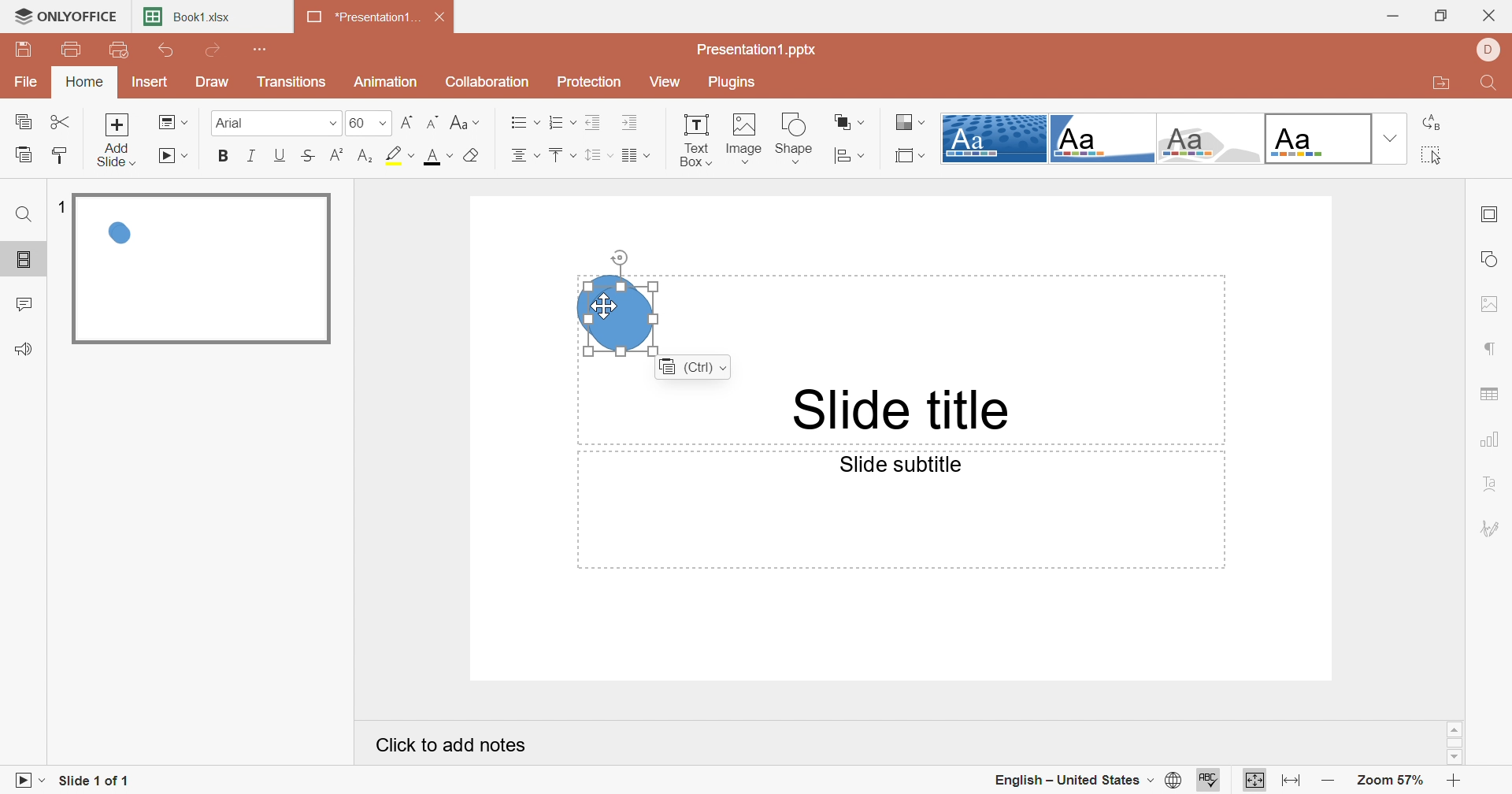 The width and height of the screenshot is (1512, 794). Describe the element at coordinates (1492, 83) in the screenshot. I see `Find` at that location.